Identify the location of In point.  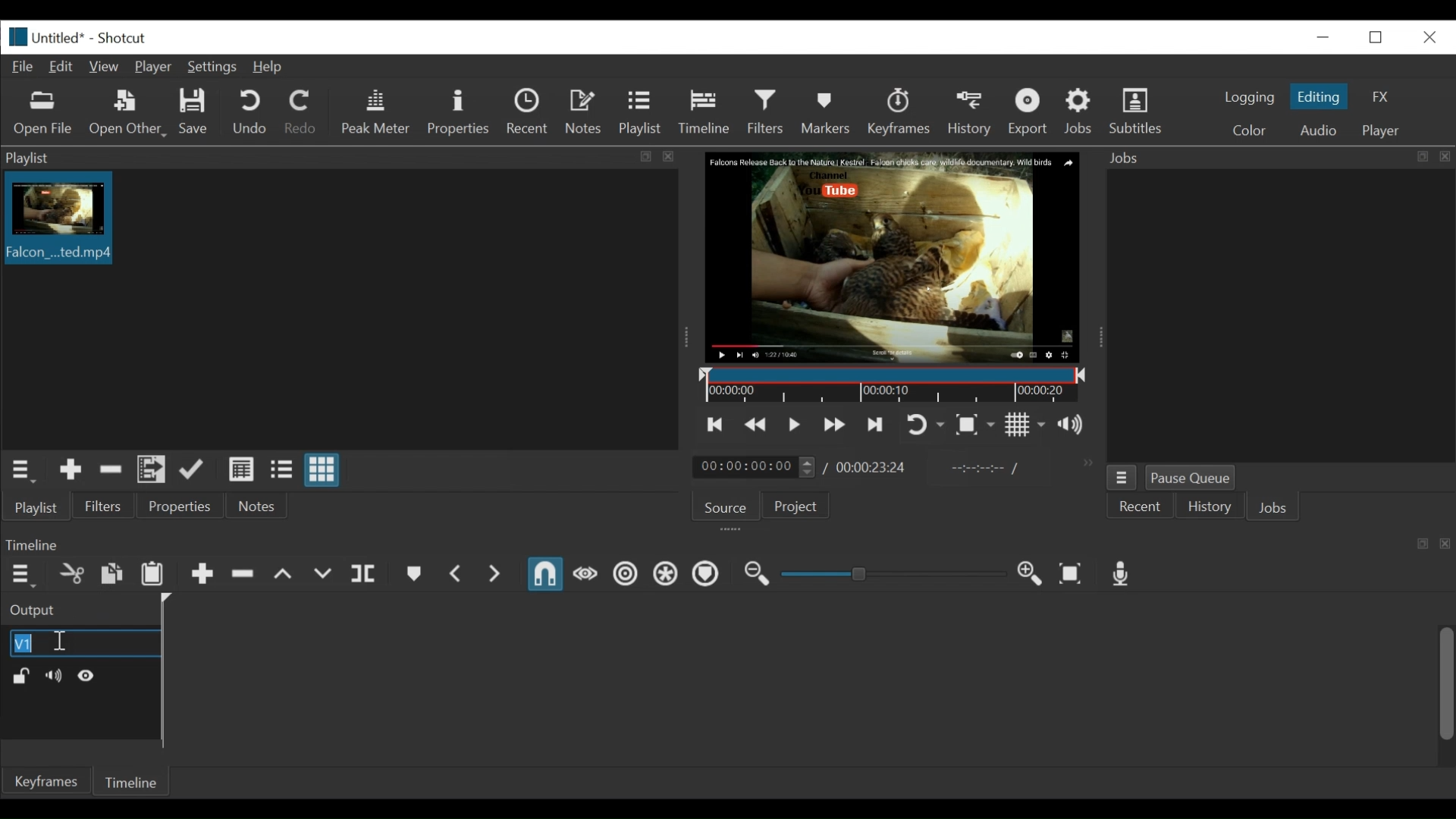
(985, 470).